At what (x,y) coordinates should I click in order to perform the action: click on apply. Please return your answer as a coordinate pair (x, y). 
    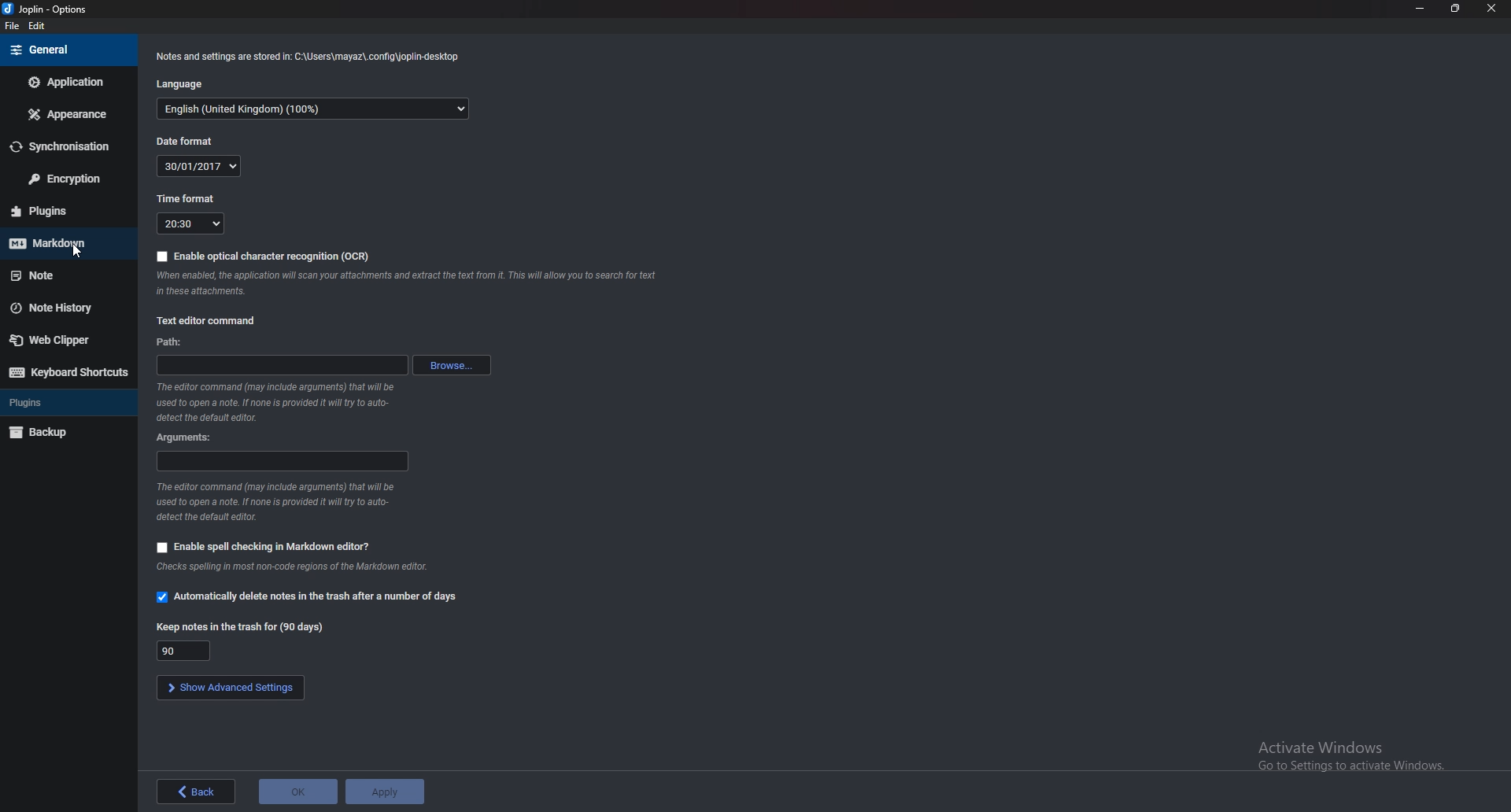
    Looking at the image, I should click on (384, 792).